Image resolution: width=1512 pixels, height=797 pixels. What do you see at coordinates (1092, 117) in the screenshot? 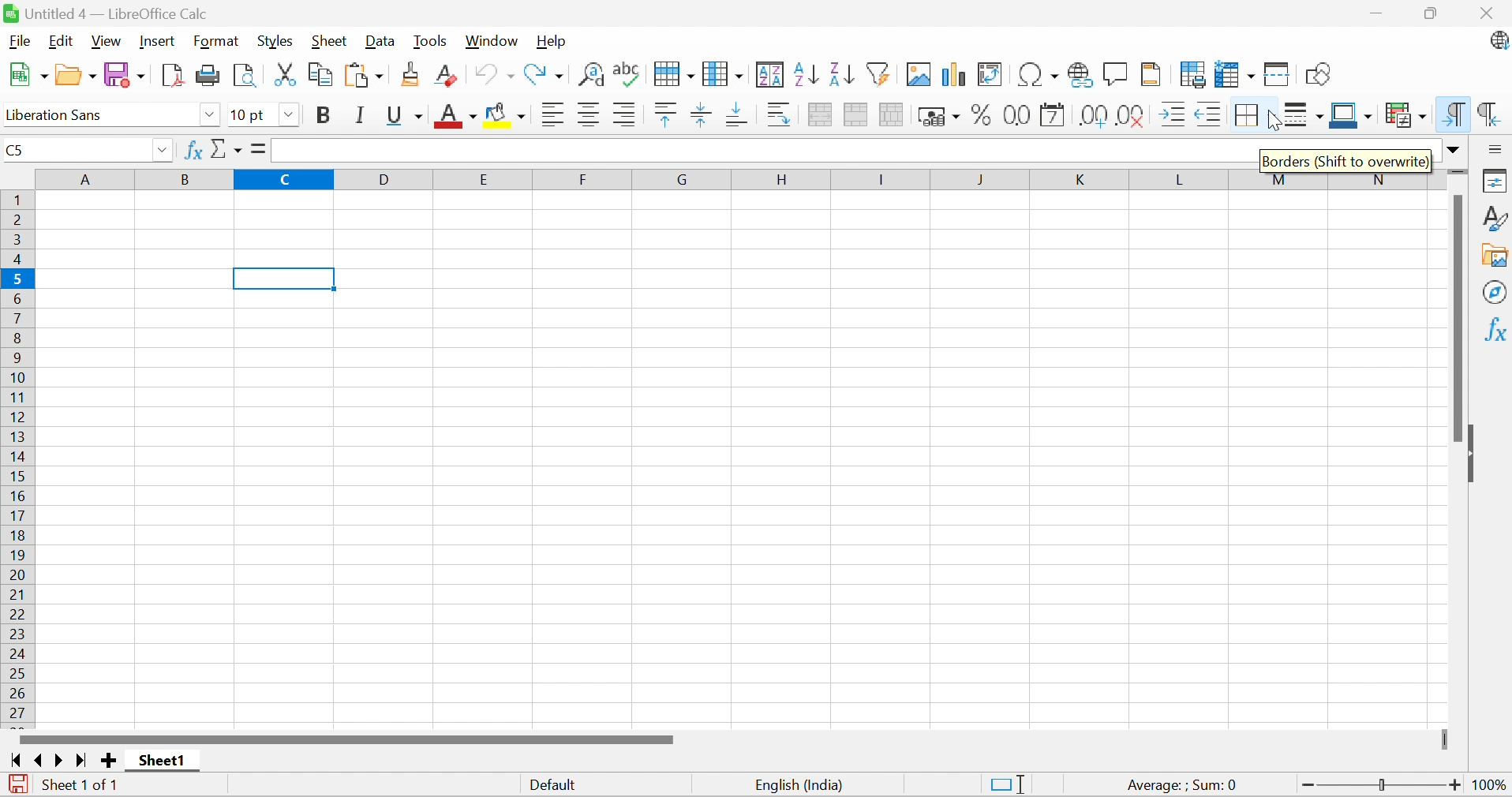
I see `Add decimal place` at bounding box center [1092, 117].